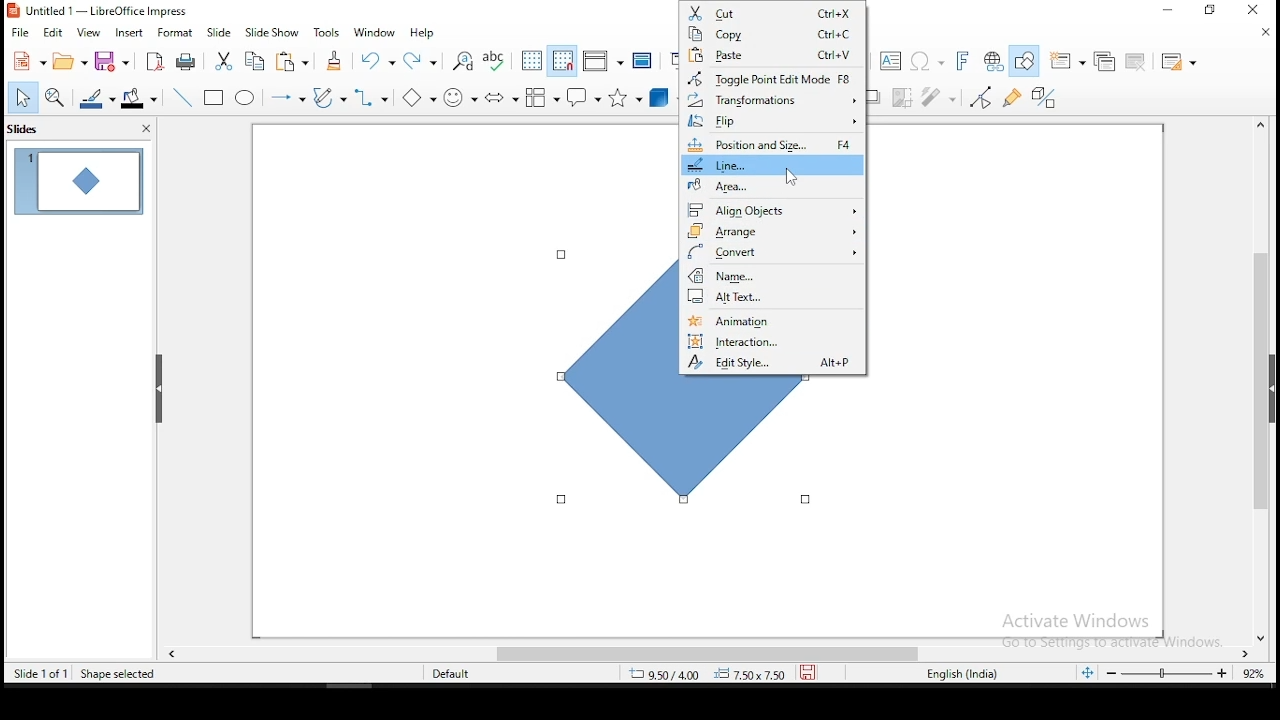  What do you see at coordinates (189, 60) in the screenshot?
I see `print` at bounding box center [189, 60].